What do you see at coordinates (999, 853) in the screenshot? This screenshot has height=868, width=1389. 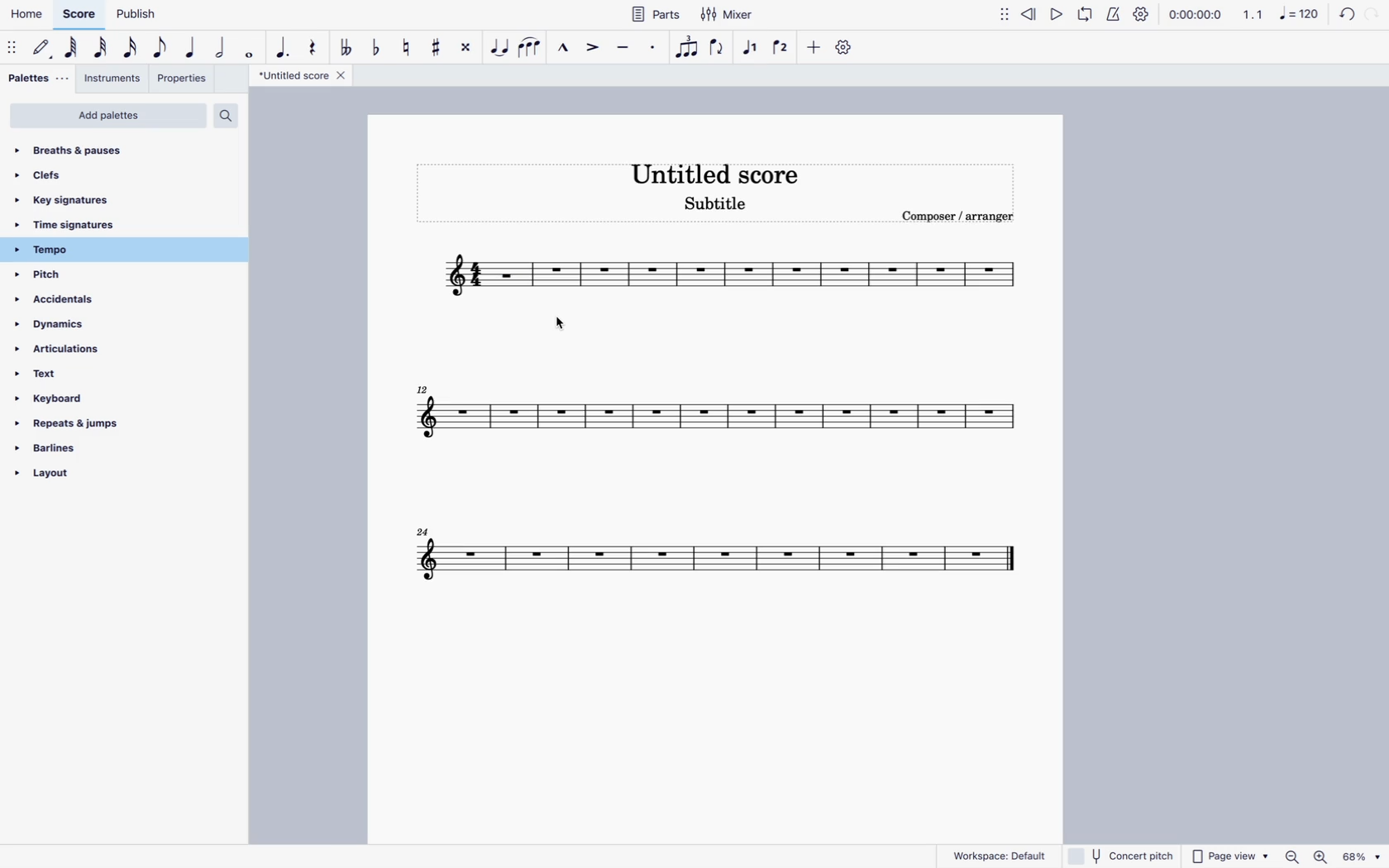 I see `workspace` at bounding box center [999, 853].